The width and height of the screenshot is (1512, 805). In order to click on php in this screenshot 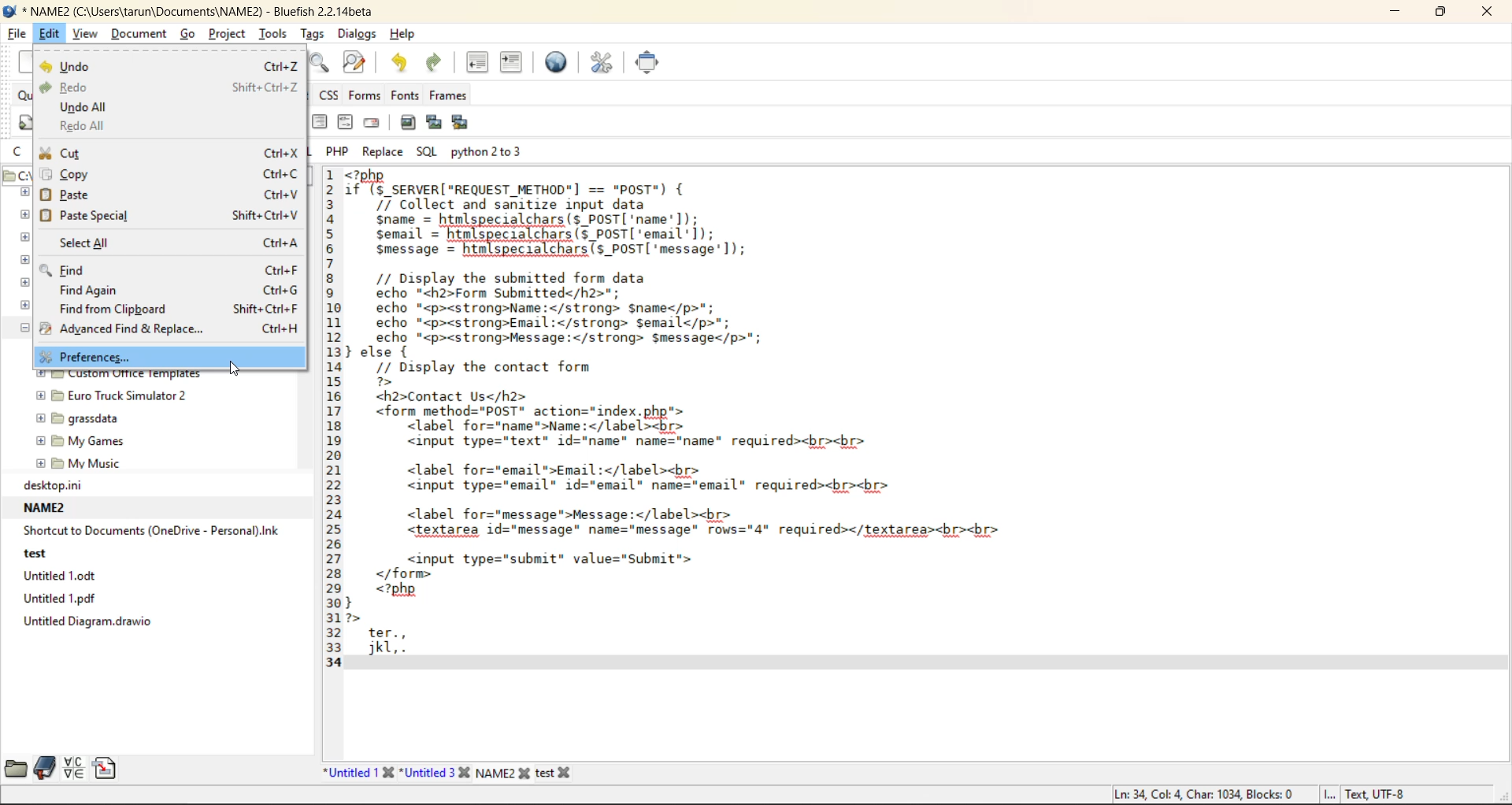, I will do `click(336, 150)`.